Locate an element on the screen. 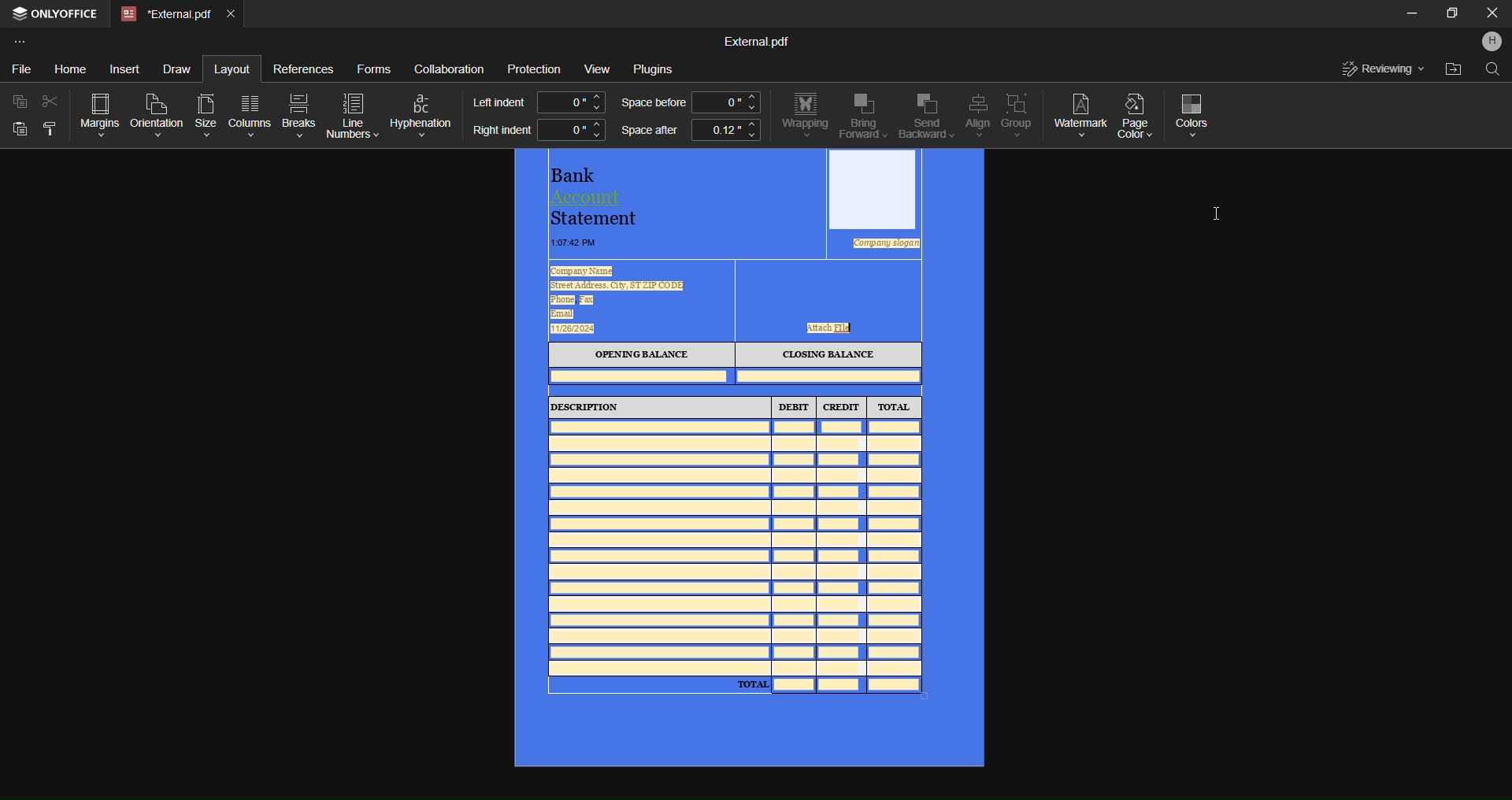 The image size is (1512, 800). Adjust Left Indent is located at coordinates (572, 102).